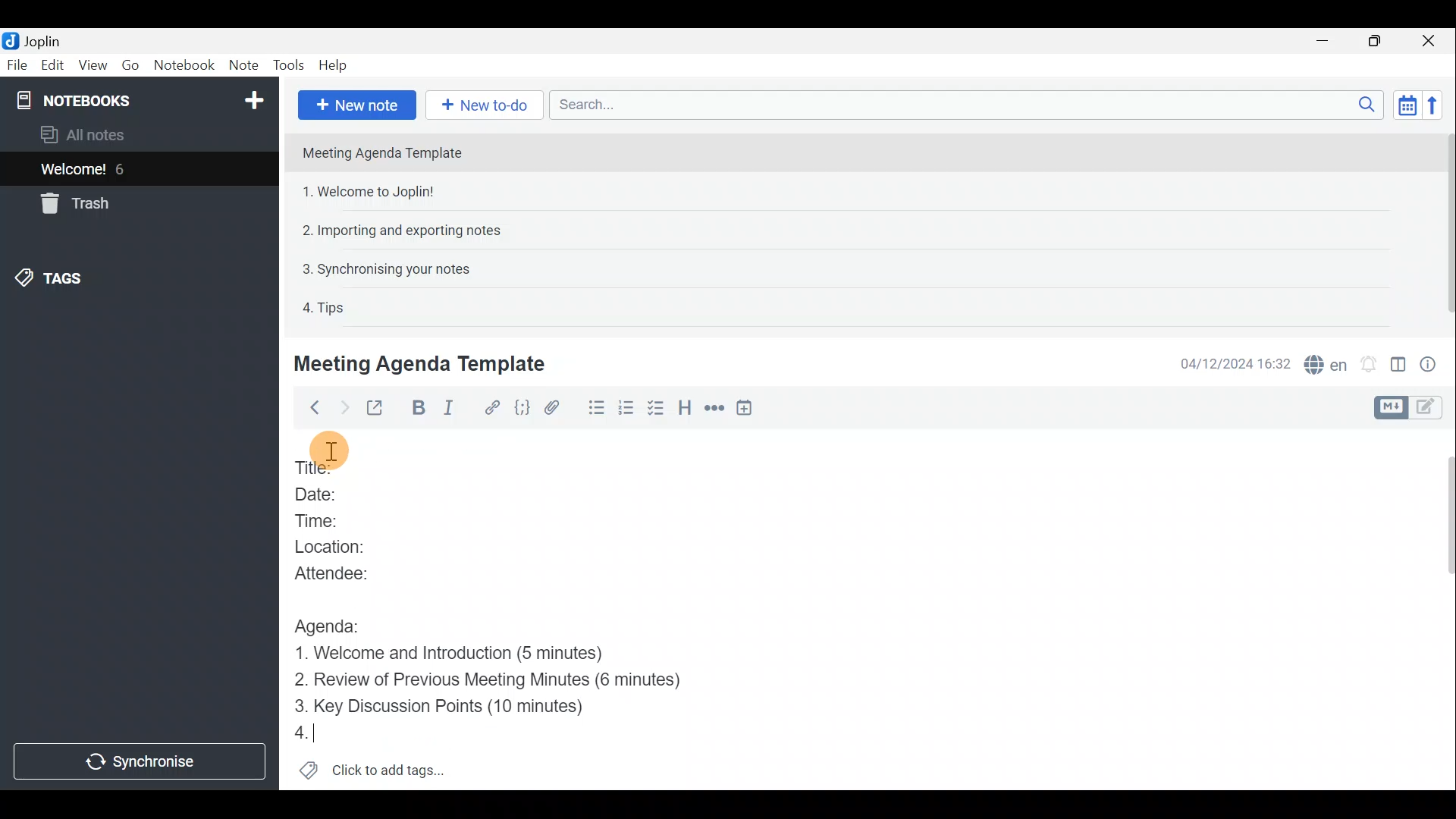 This screenshot has width=1456, height=819. What do you see at coordinates (386, 268) in the screenshot?
I see `3. Synchronising your notes` at bounding box center [386, 268].